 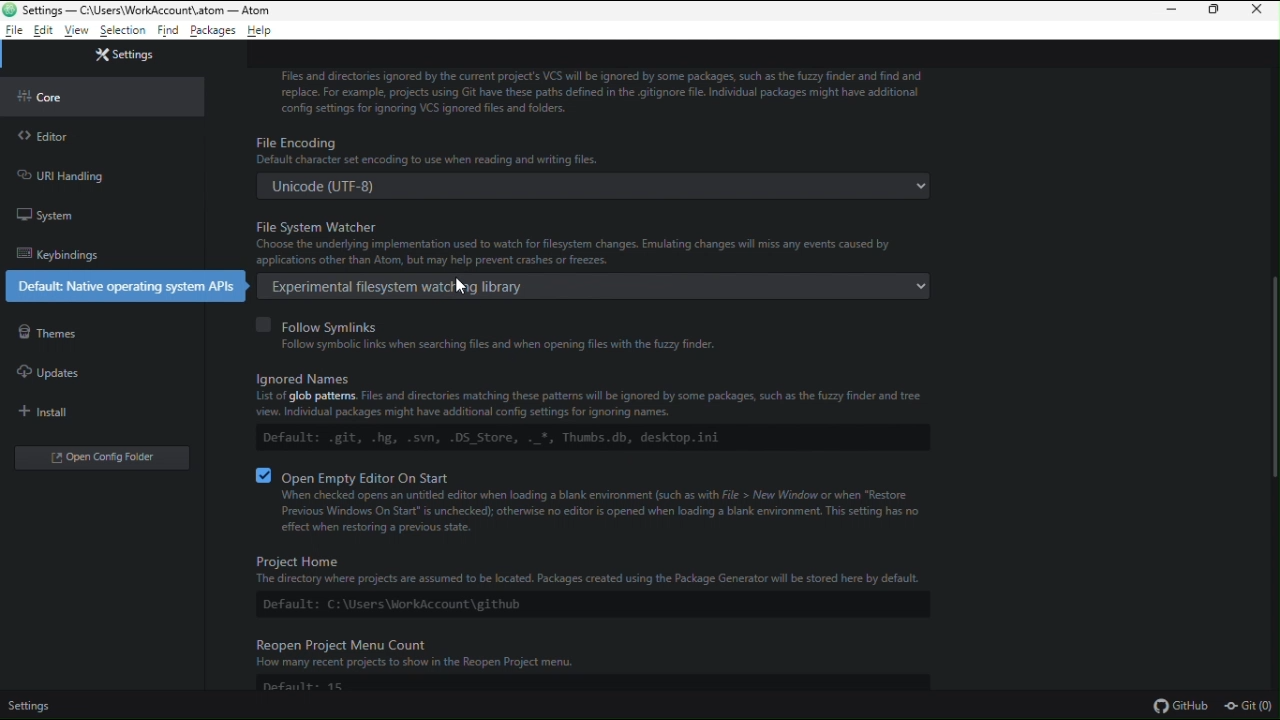 I want to click on Themes, so click(x=47, y=333).